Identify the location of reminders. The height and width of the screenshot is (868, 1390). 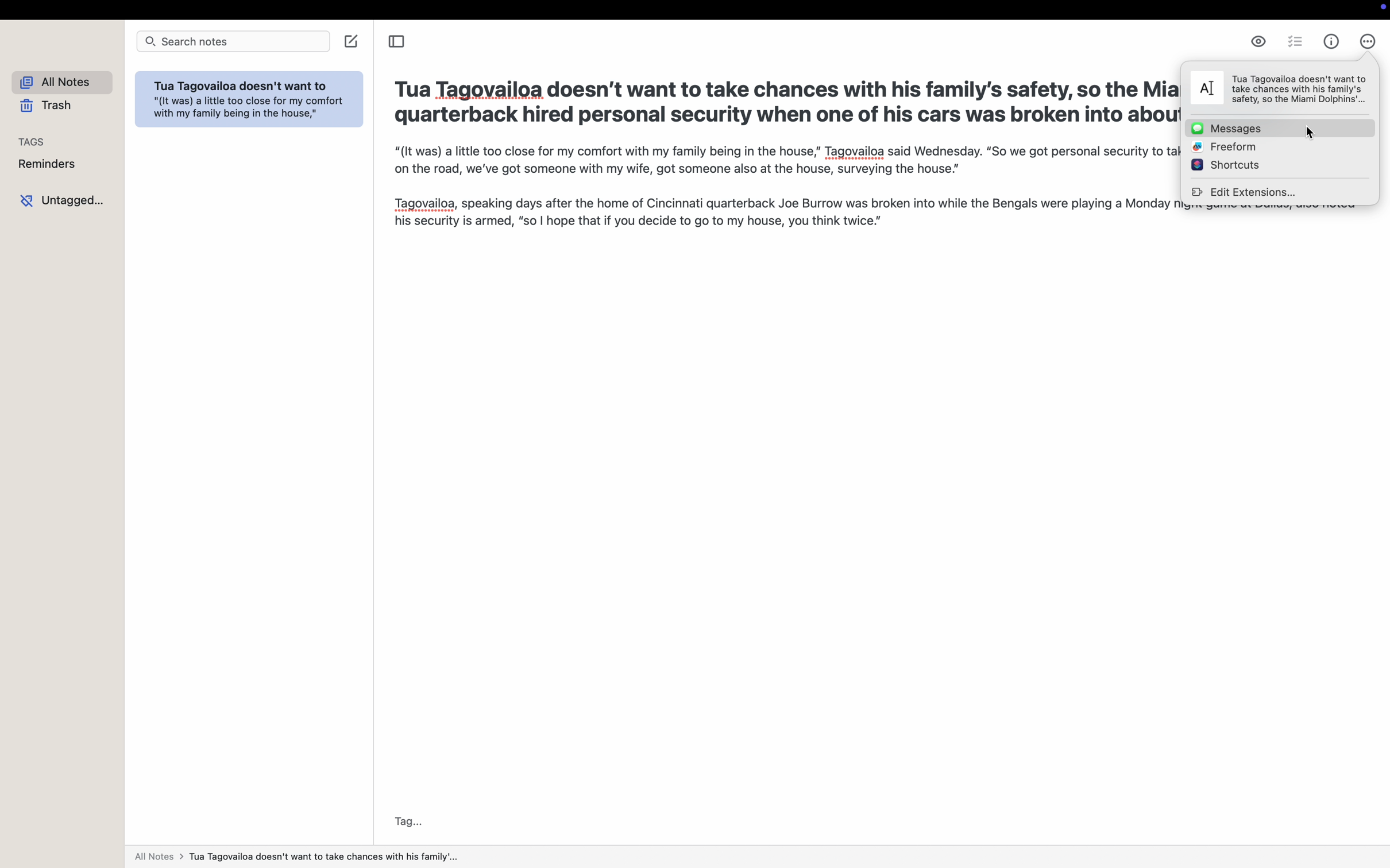
(47, 164).